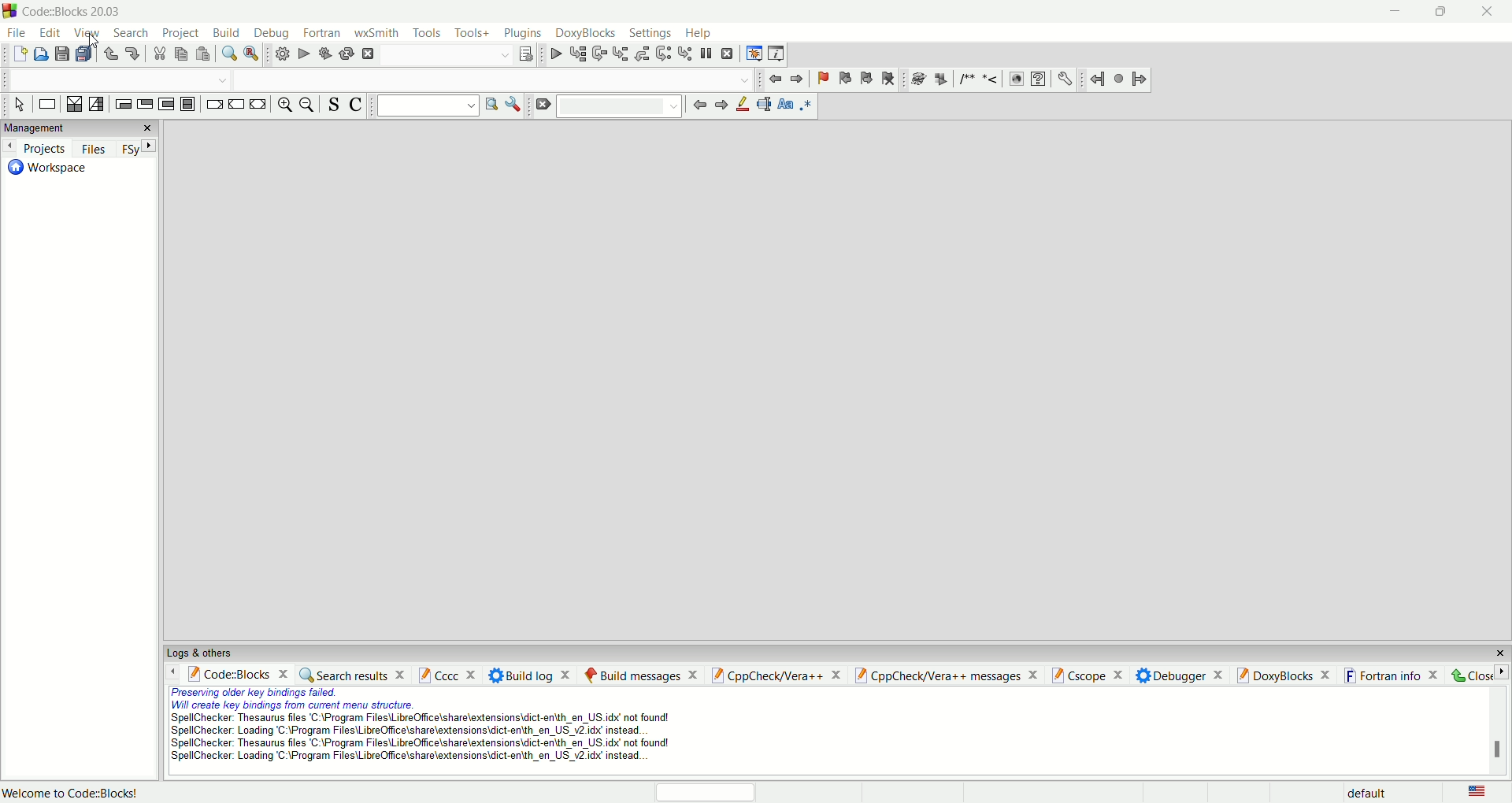 The width and height of the screenshot is (1512, 803). What do you see at coordinates (75, 13) in the screenshot?
I see `code::block 20.03` at bounding box center [75, 13].